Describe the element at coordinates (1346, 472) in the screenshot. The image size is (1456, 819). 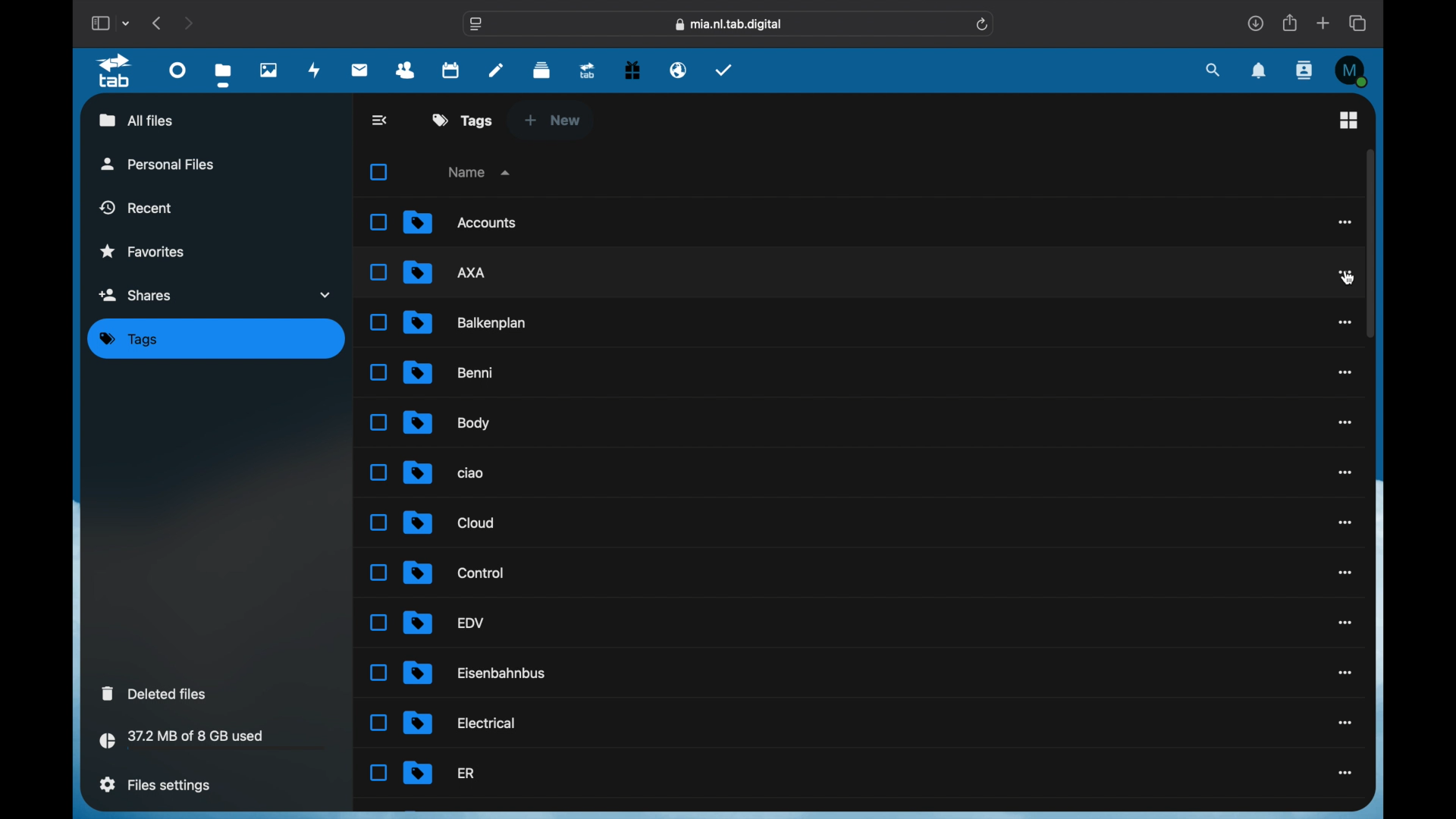
I see `more options` at that location.